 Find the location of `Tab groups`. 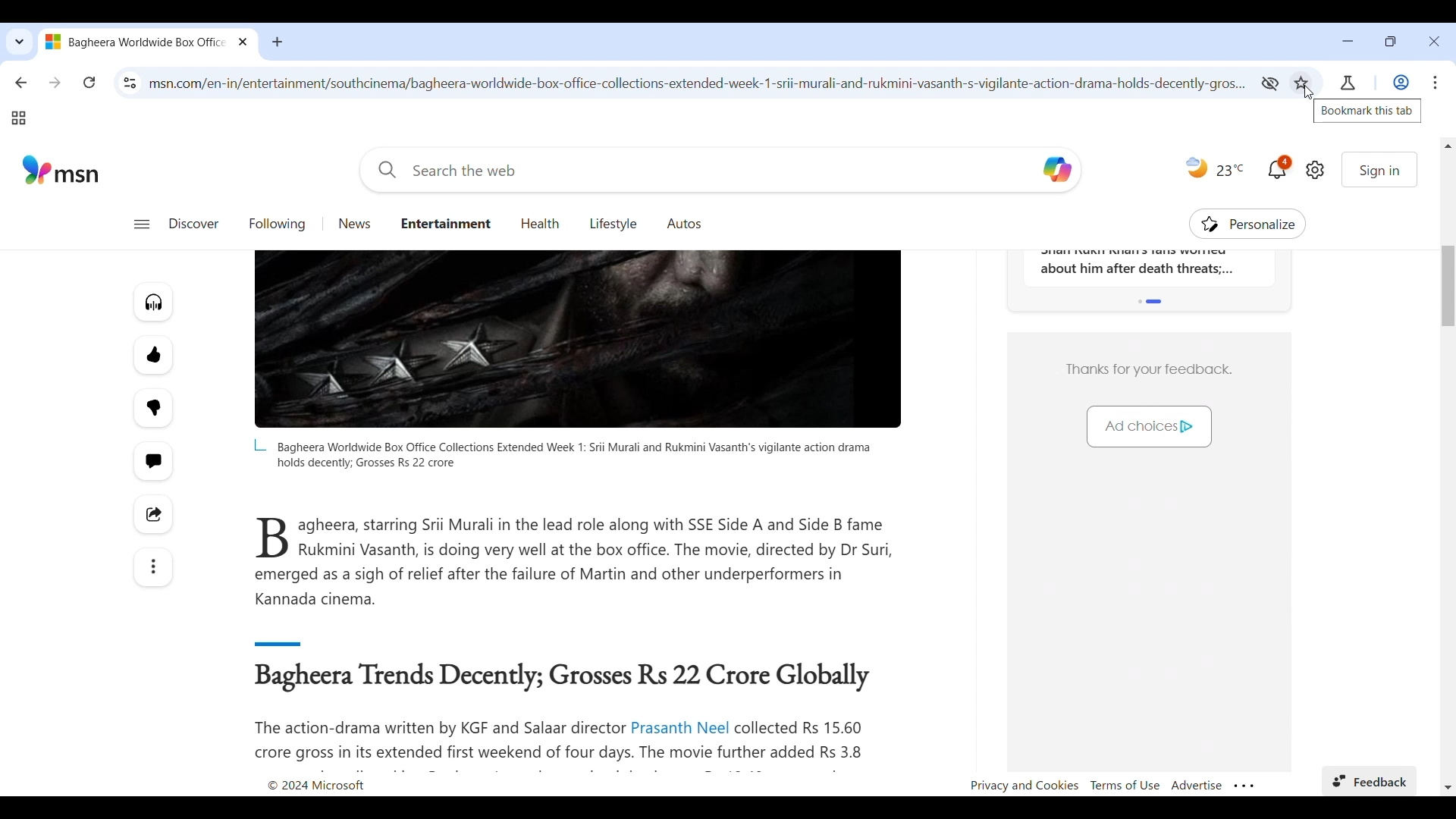

Tab groups is located at coordinates (18, 118).